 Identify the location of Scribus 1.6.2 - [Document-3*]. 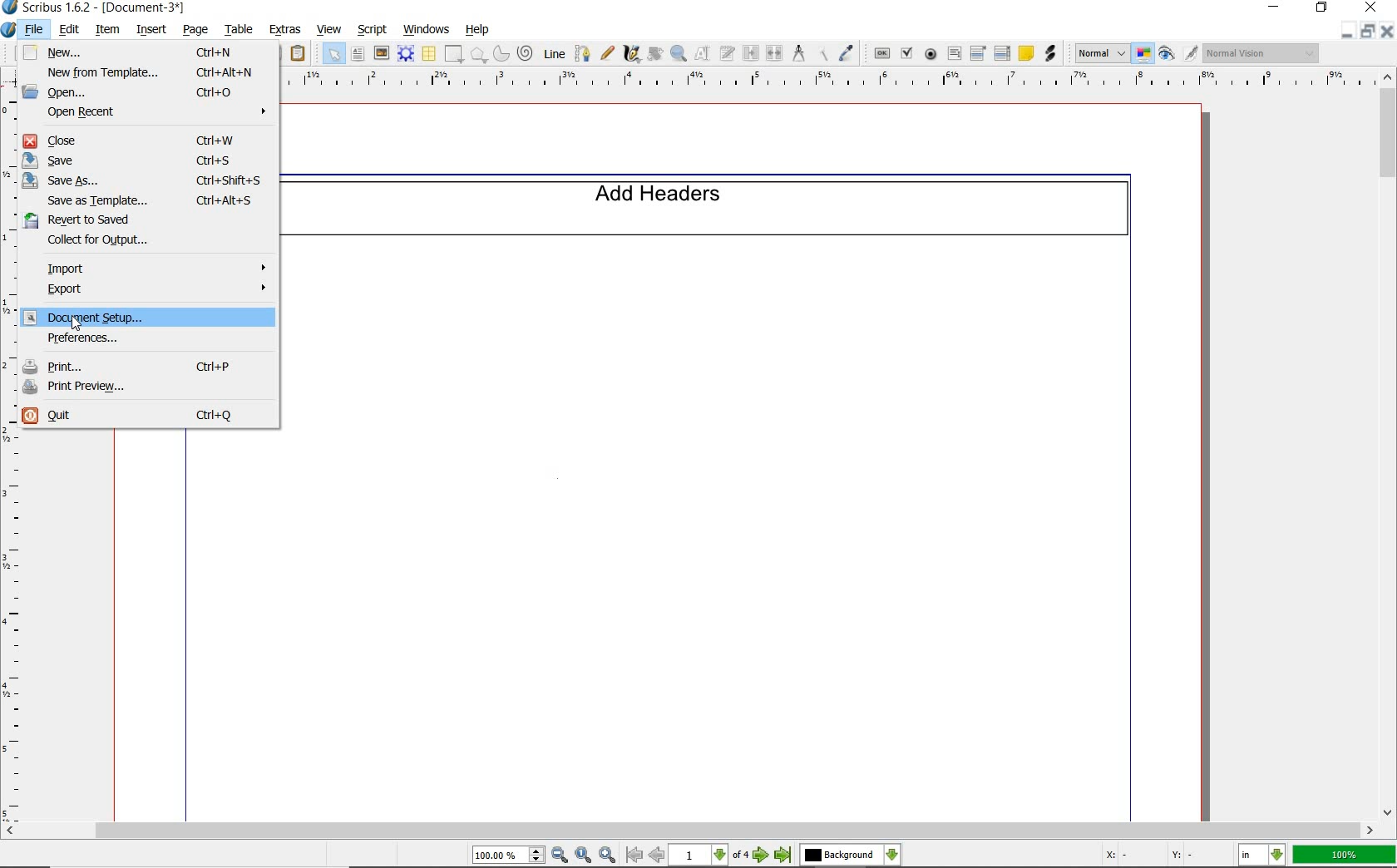
(94, 8).